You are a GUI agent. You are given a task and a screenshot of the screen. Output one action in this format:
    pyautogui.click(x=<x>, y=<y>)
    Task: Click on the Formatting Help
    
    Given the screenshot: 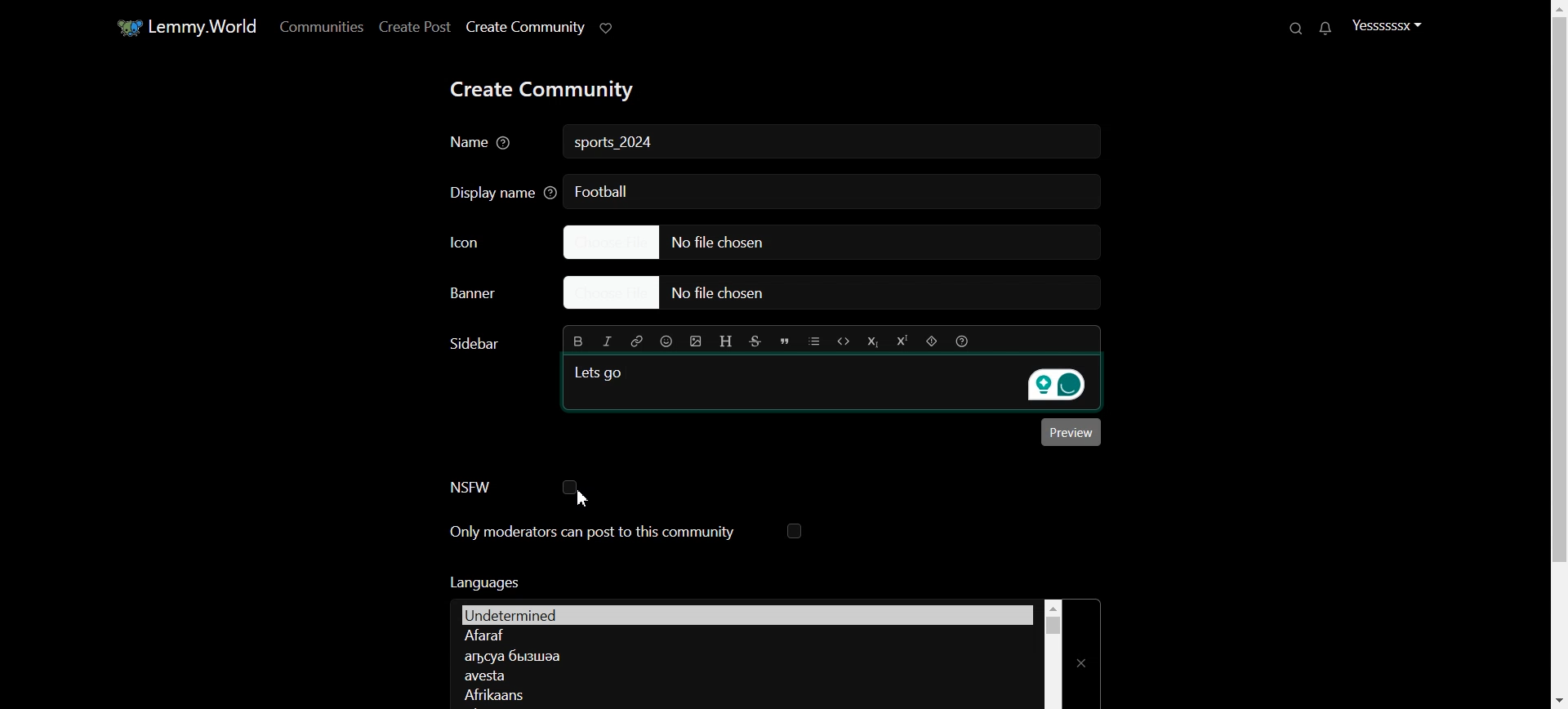 What is the action you would take?
    pyautogui.click(x=961, y=341)
    